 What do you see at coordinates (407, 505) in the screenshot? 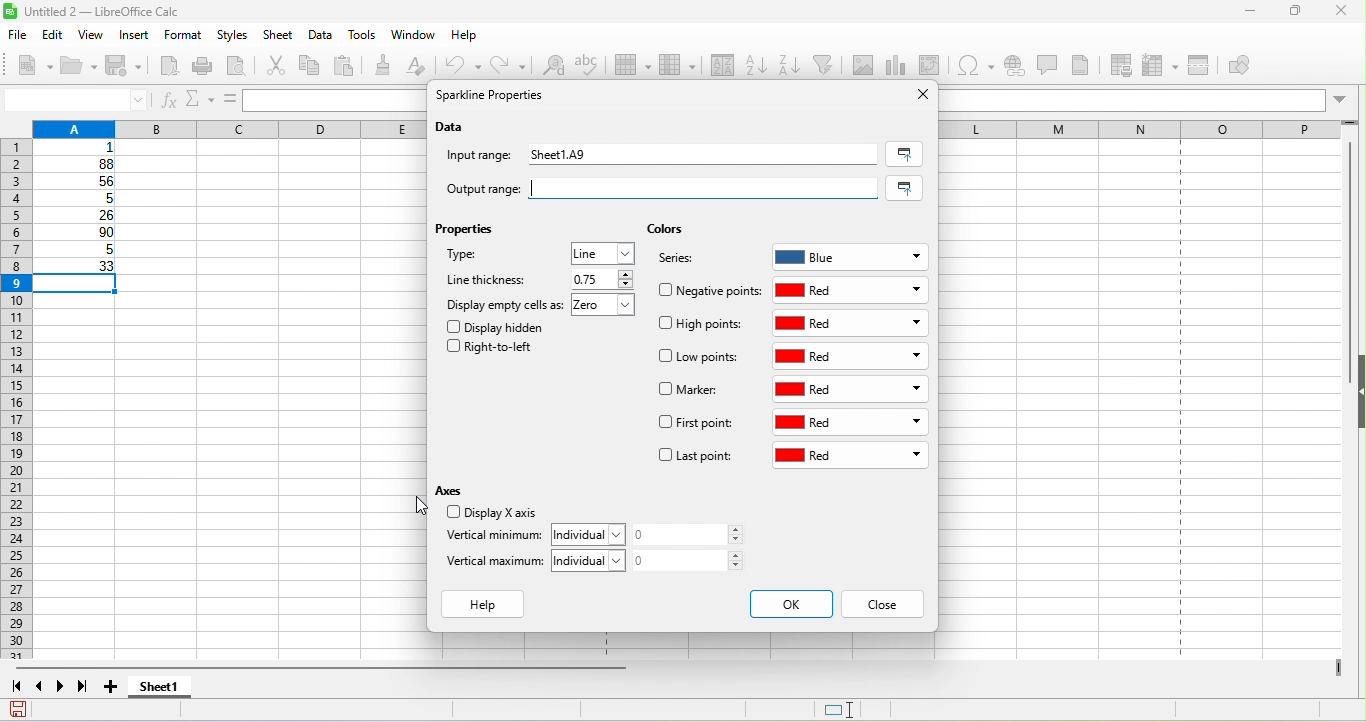
I see `cursor` at bounding box center [407, 505].